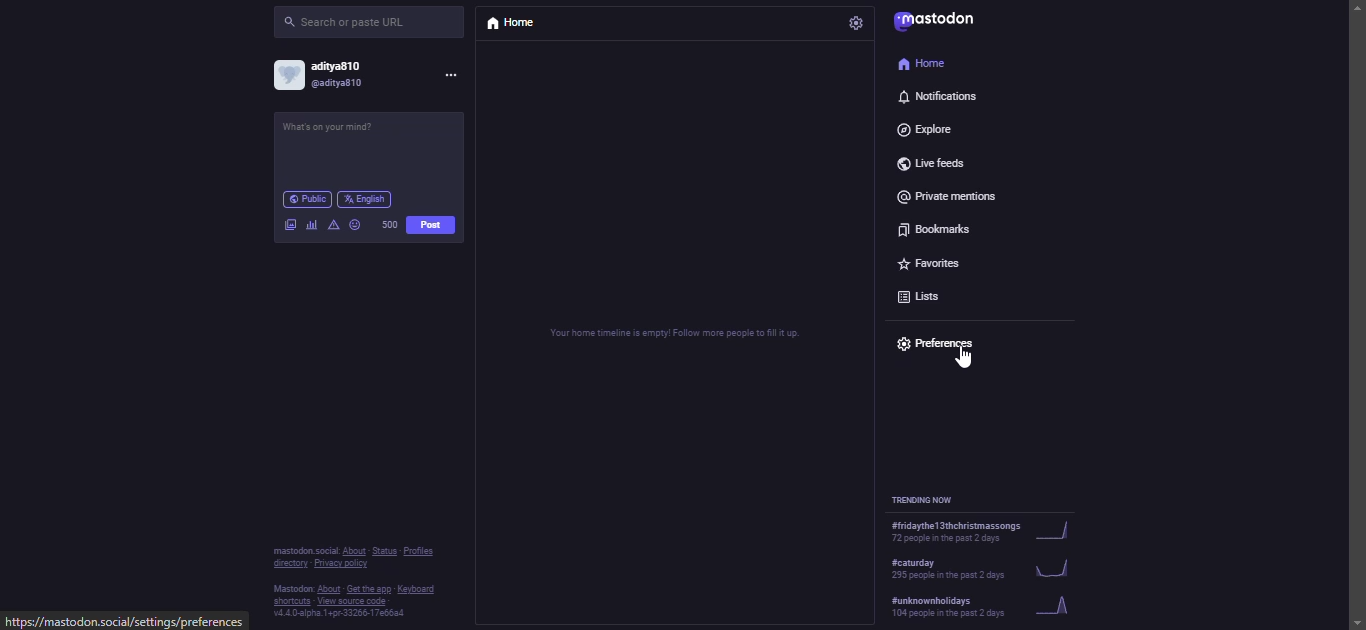  I want to click on public, so click(305, 199).